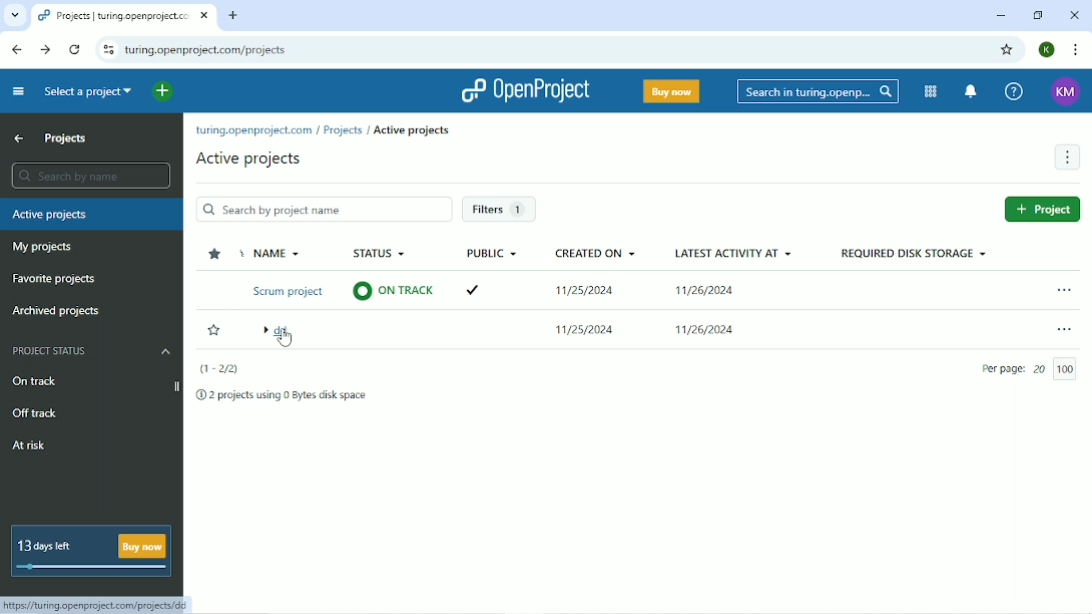 The height and width of the screenshot is (614, 1092). What do you see at coordinates (732, 253) in the screenshot?
I see `Latest activity at` at bounding box center [732, 253].